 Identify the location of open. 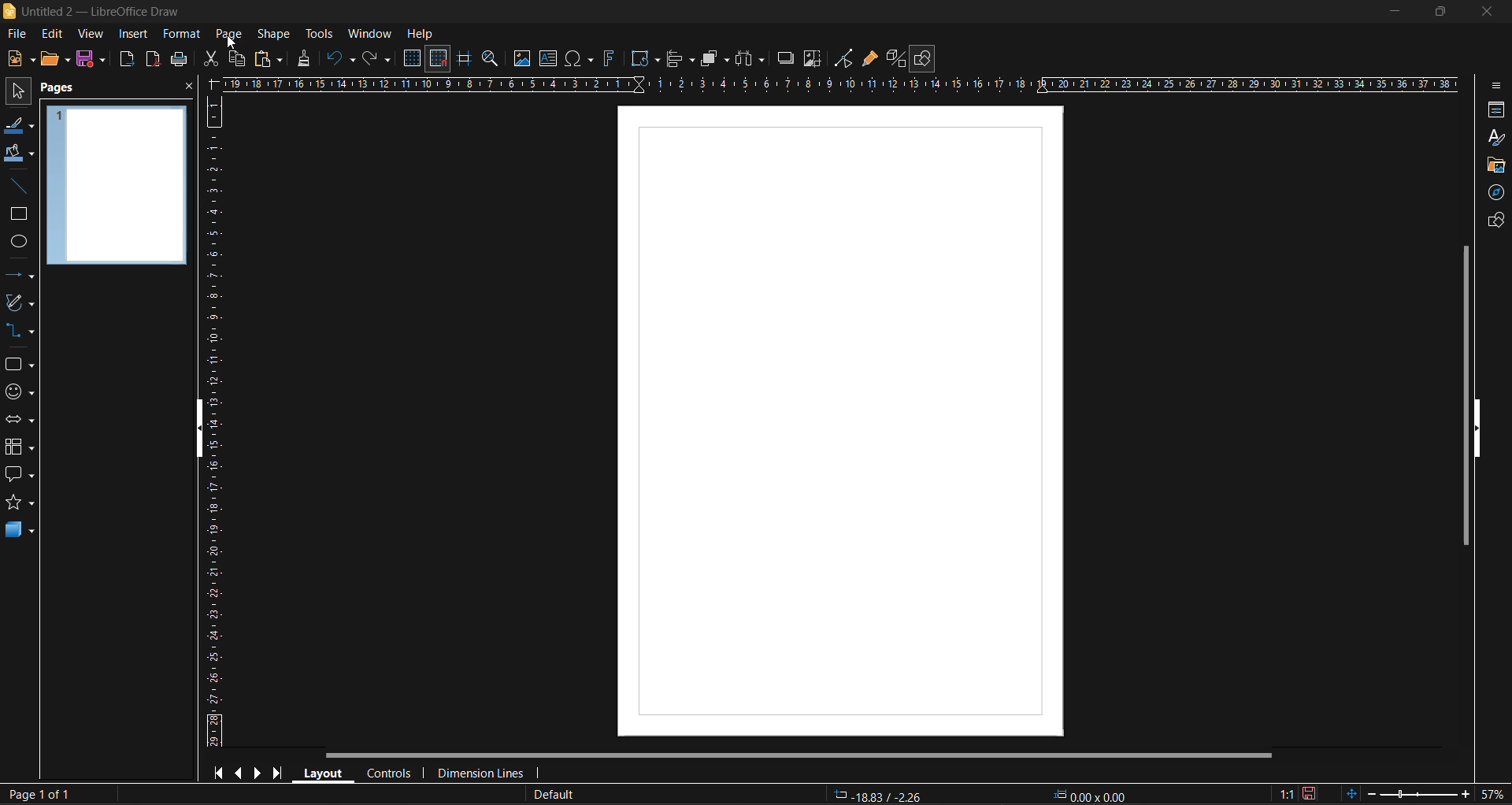
(53, 60).